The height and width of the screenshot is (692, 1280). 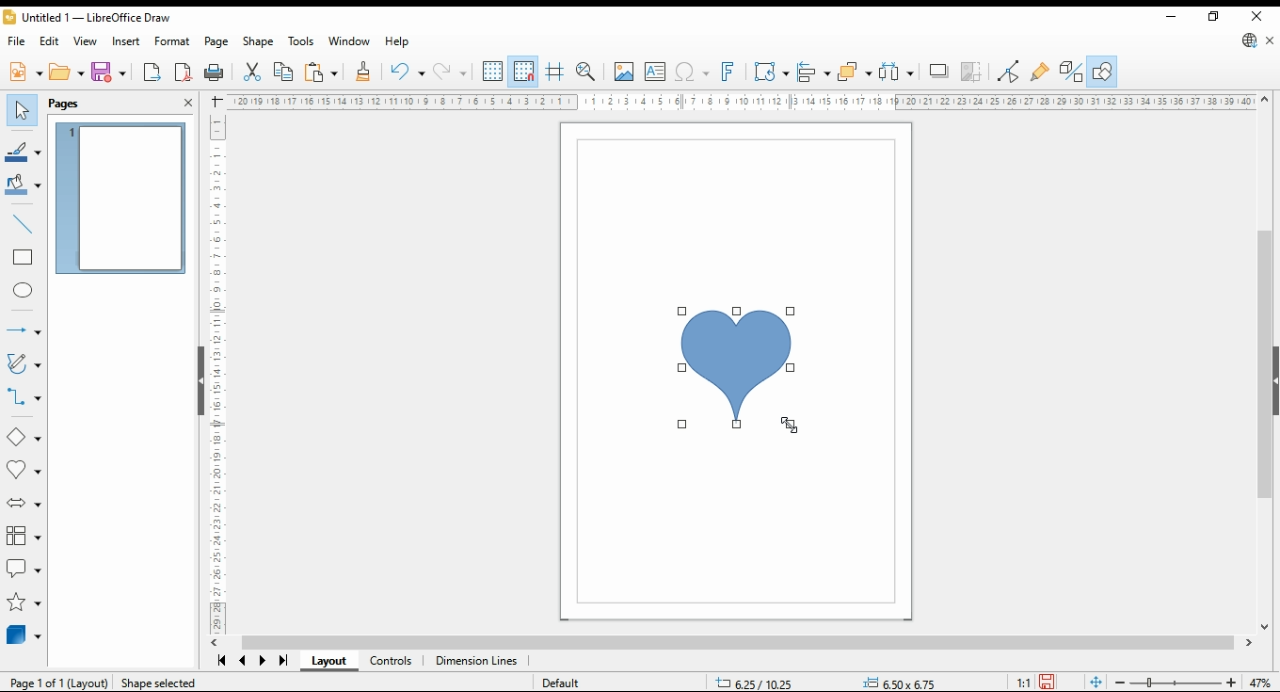 What do you see at coordinates (771, 71) in the screenshot?
I see `transformations` at bounding box center [771, 71].